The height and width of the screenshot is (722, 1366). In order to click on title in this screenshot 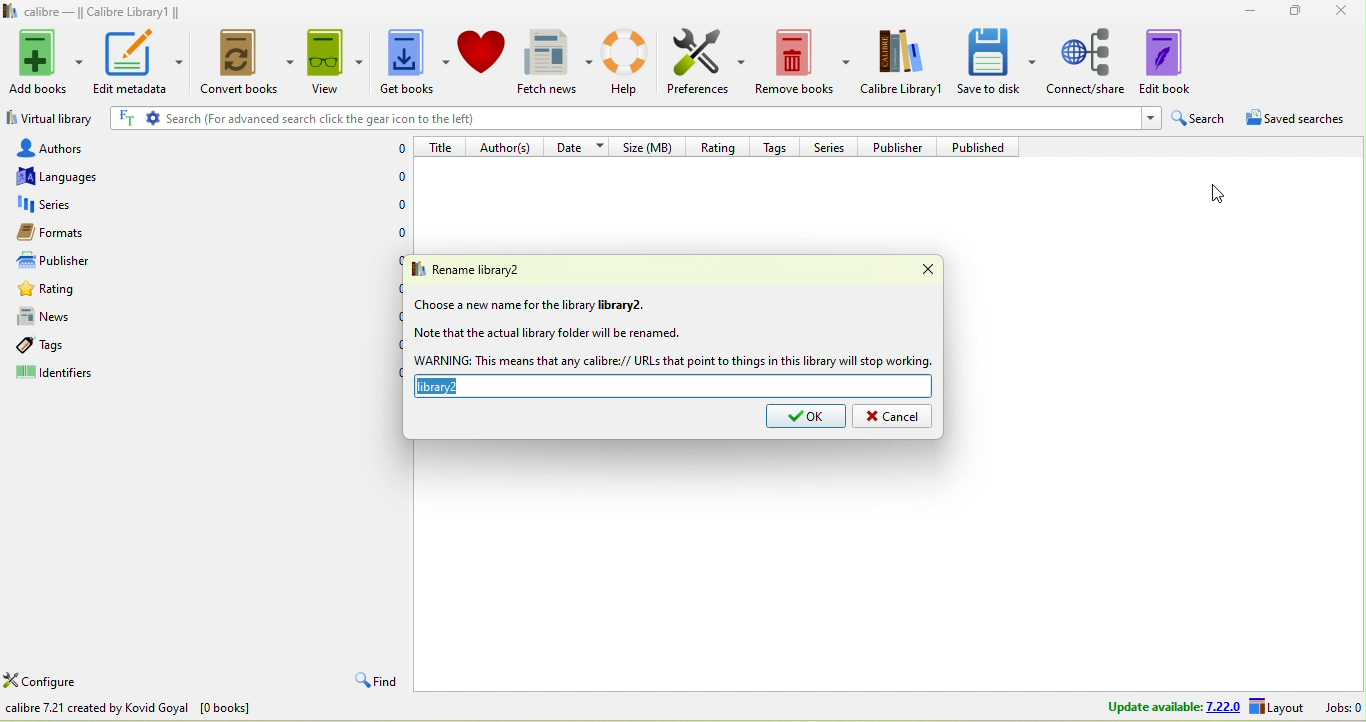, I will do `click(442, 146)`.